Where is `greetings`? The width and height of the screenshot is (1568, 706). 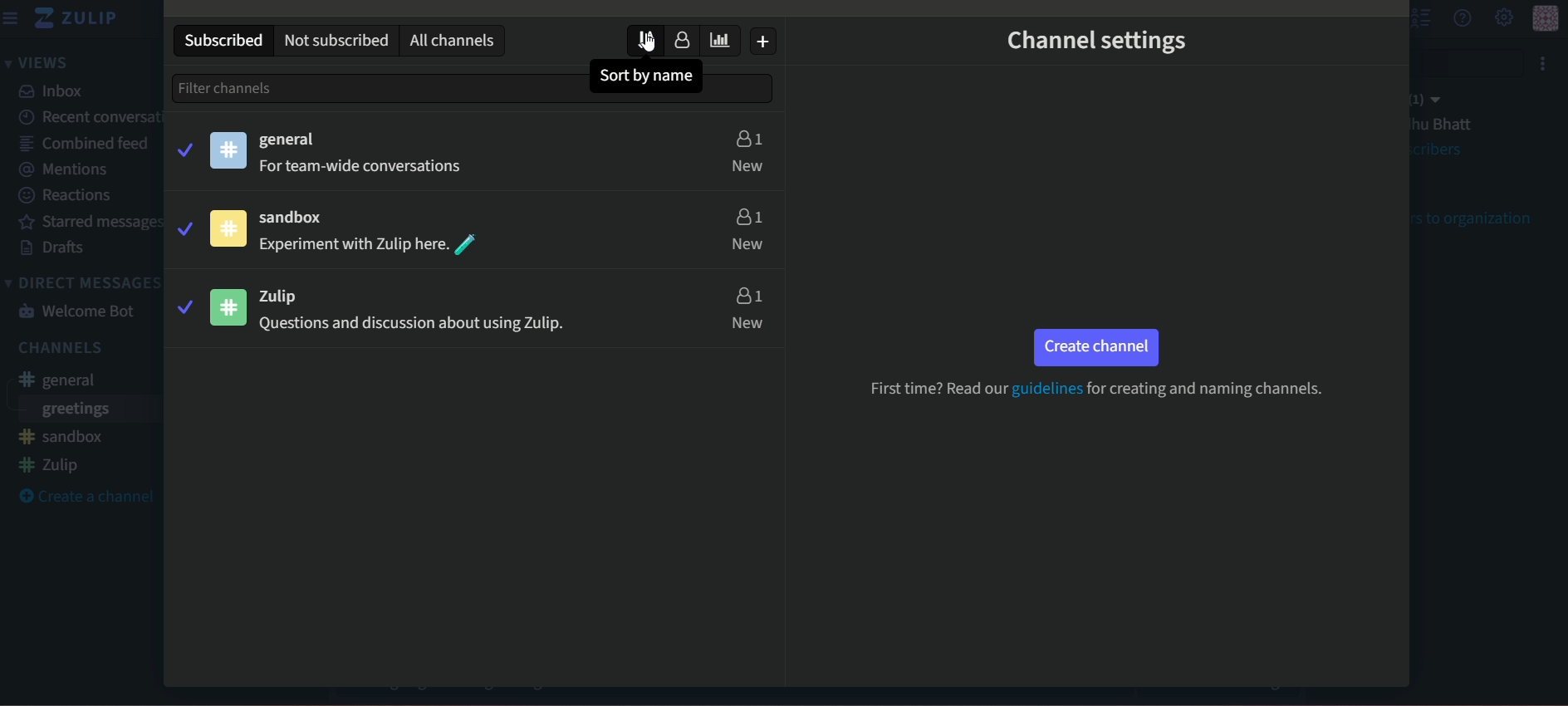
greetings is located at coordinates (73, 410).